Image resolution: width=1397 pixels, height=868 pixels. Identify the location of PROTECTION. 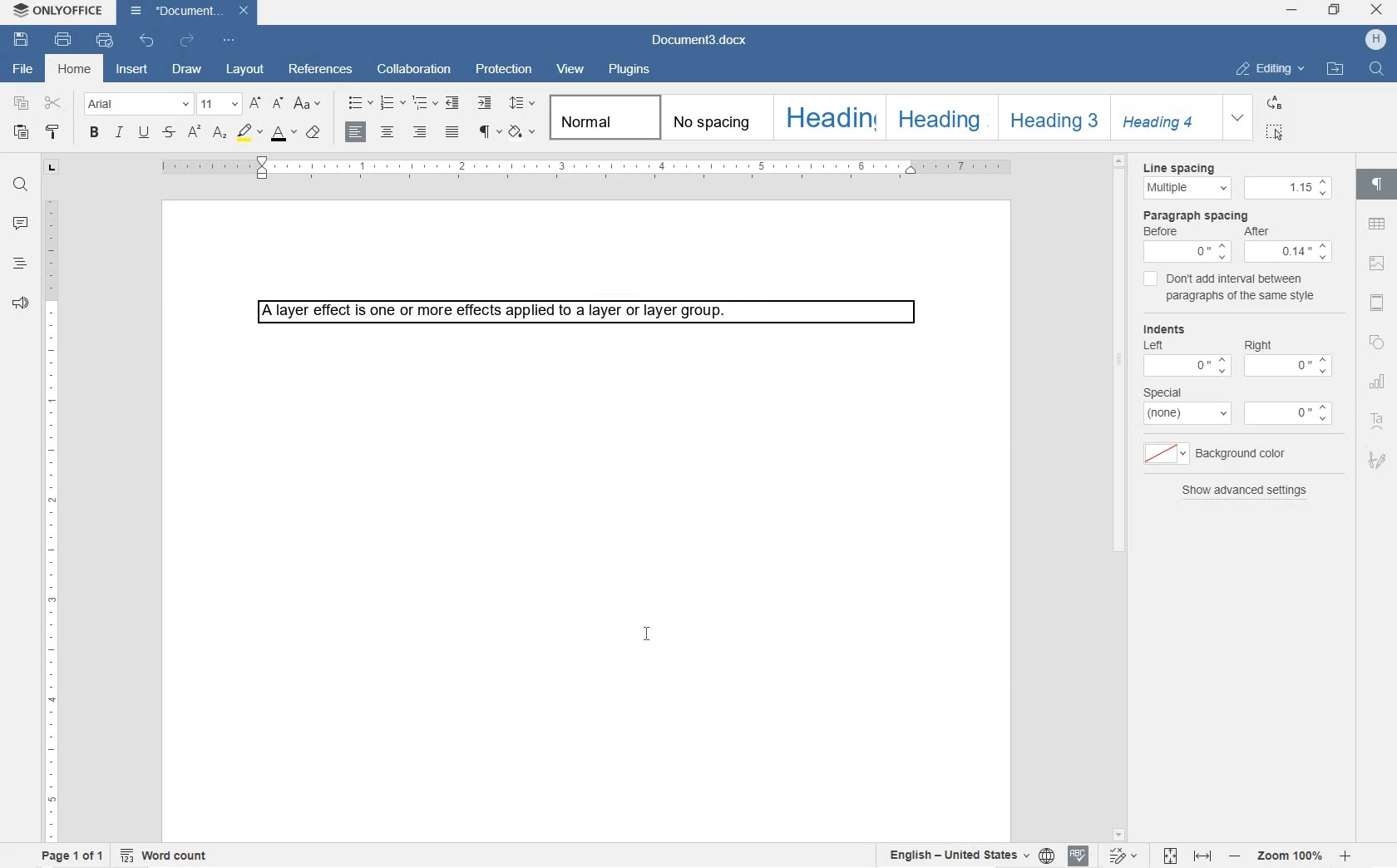
(506, 71).